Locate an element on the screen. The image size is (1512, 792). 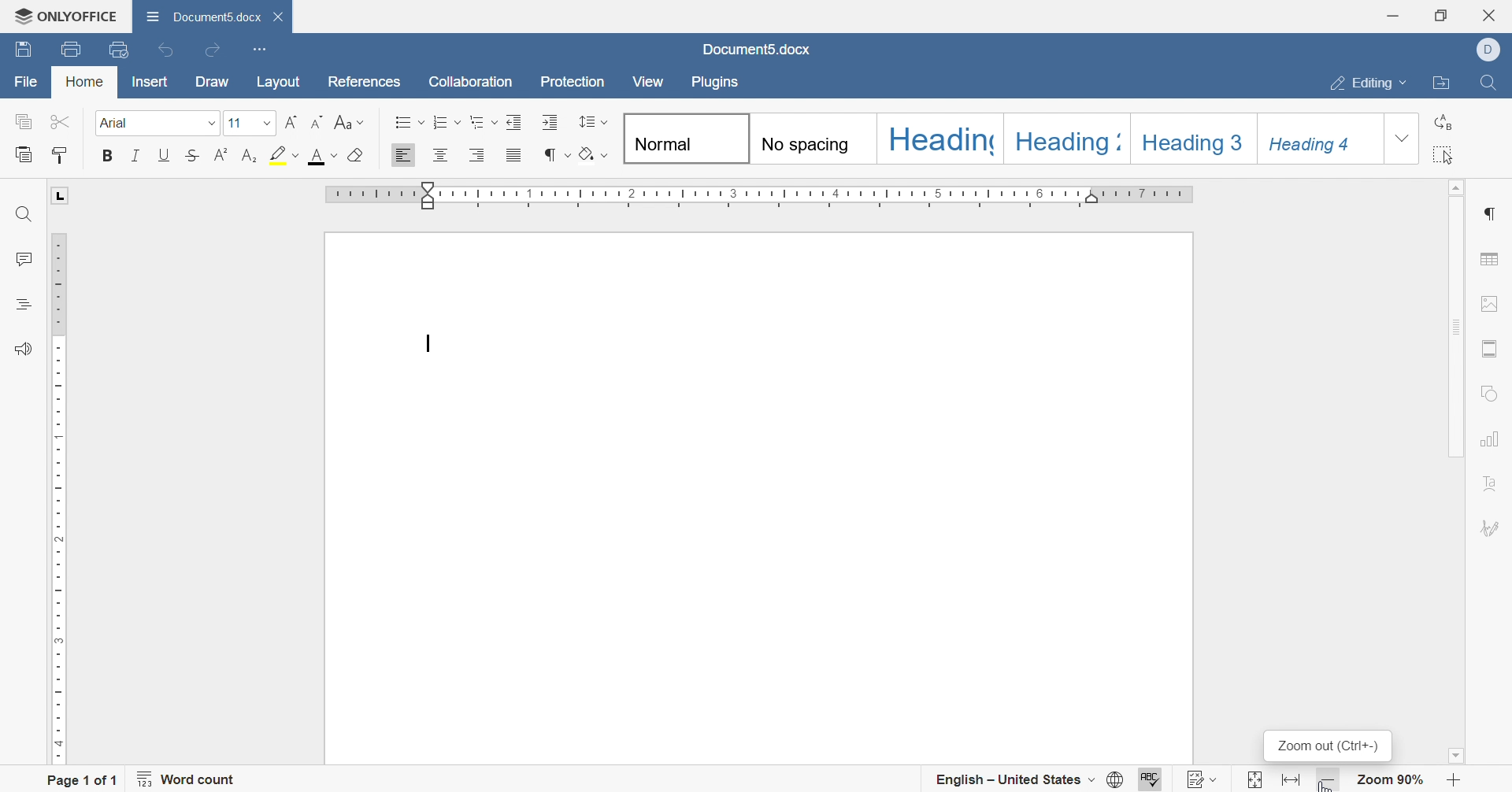
paragraph settings is located at coordinates (1494, 209).